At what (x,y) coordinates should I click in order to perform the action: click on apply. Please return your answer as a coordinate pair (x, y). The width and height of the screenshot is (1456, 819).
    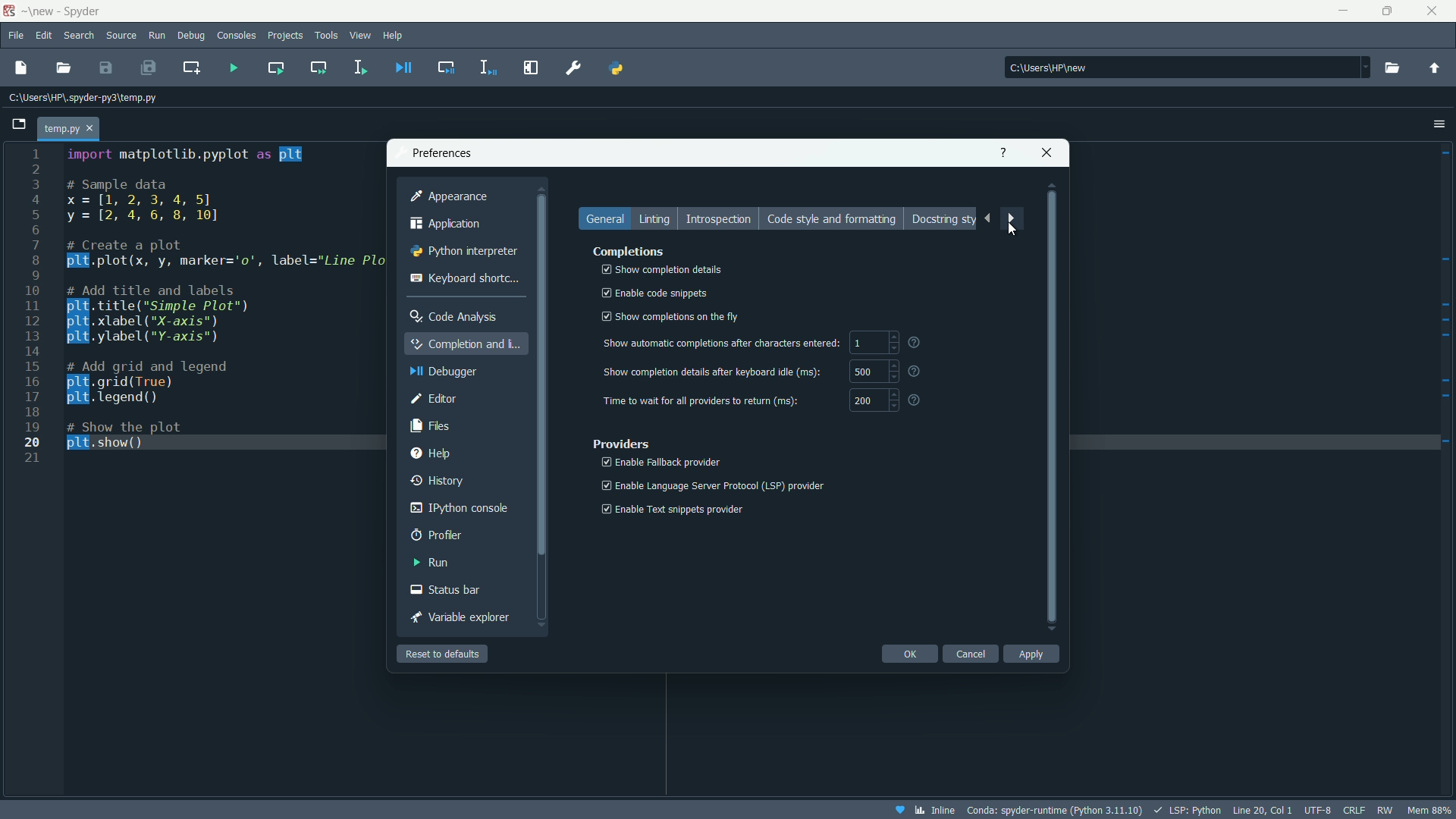
    Looking at the image, I should click on (1031, 654).